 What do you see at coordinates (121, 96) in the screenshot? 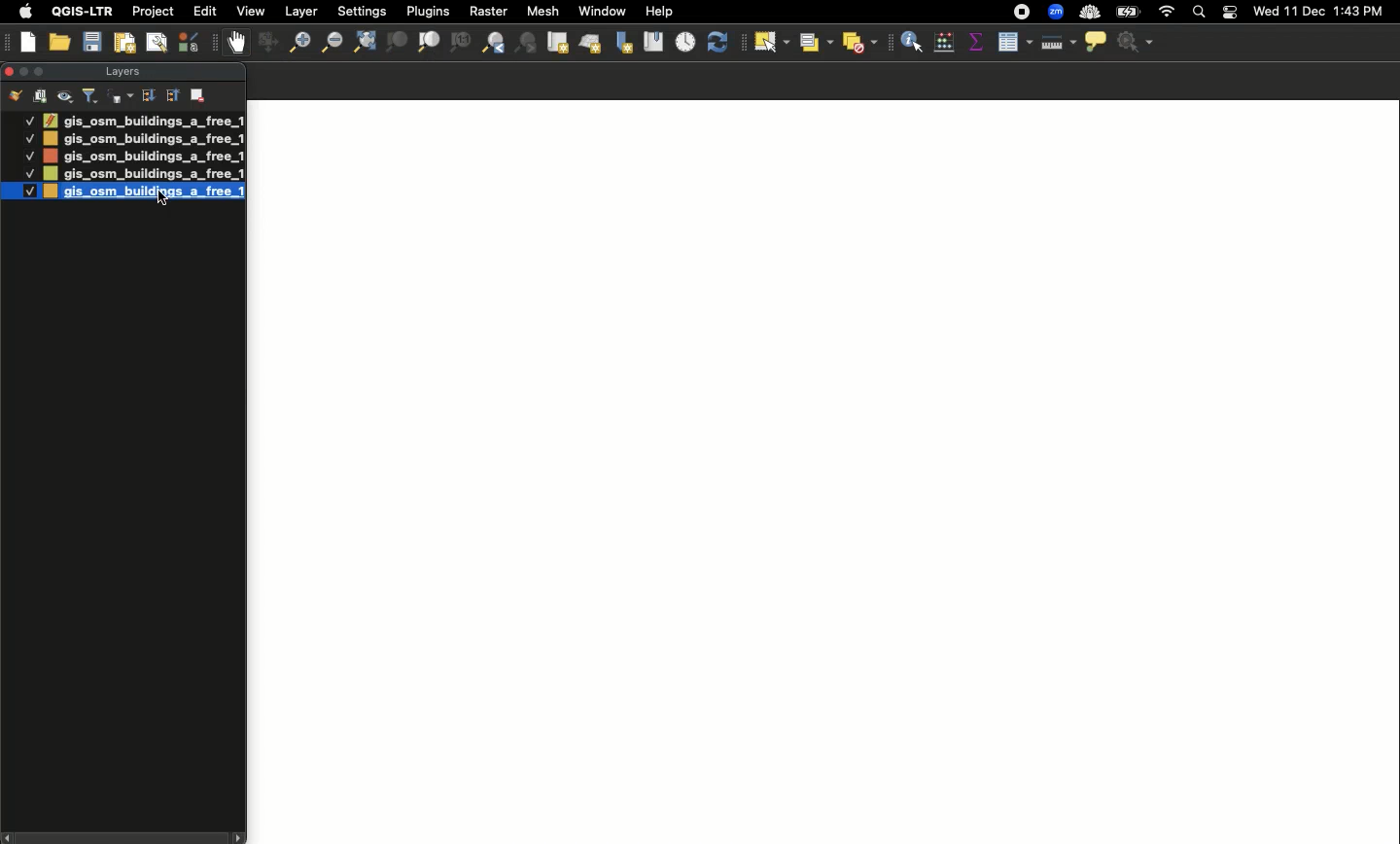
I see `Filter legend by expression` at bounding box center [121, 96].